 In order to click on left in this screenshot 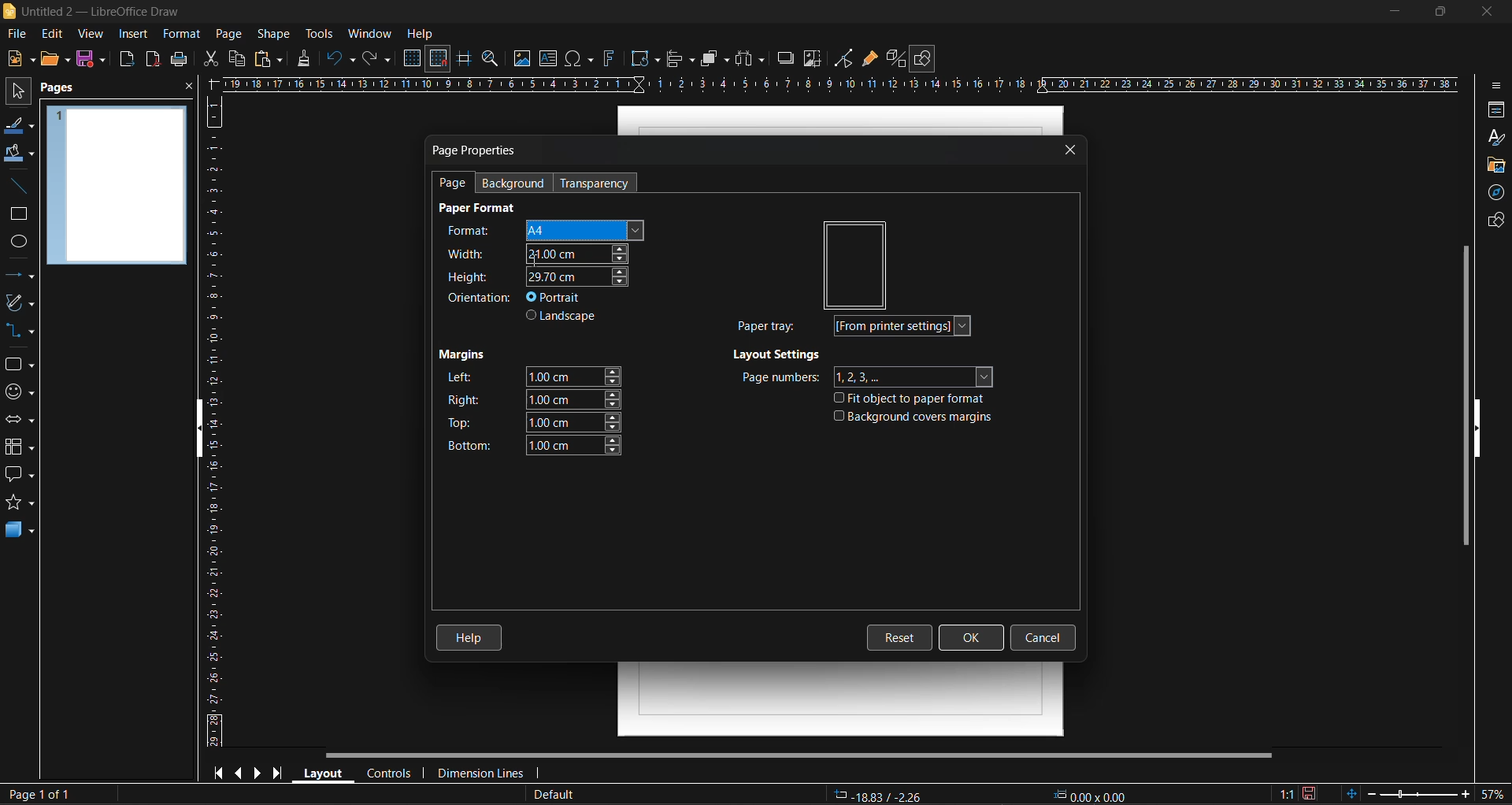, I will do `click(532, 376)`.